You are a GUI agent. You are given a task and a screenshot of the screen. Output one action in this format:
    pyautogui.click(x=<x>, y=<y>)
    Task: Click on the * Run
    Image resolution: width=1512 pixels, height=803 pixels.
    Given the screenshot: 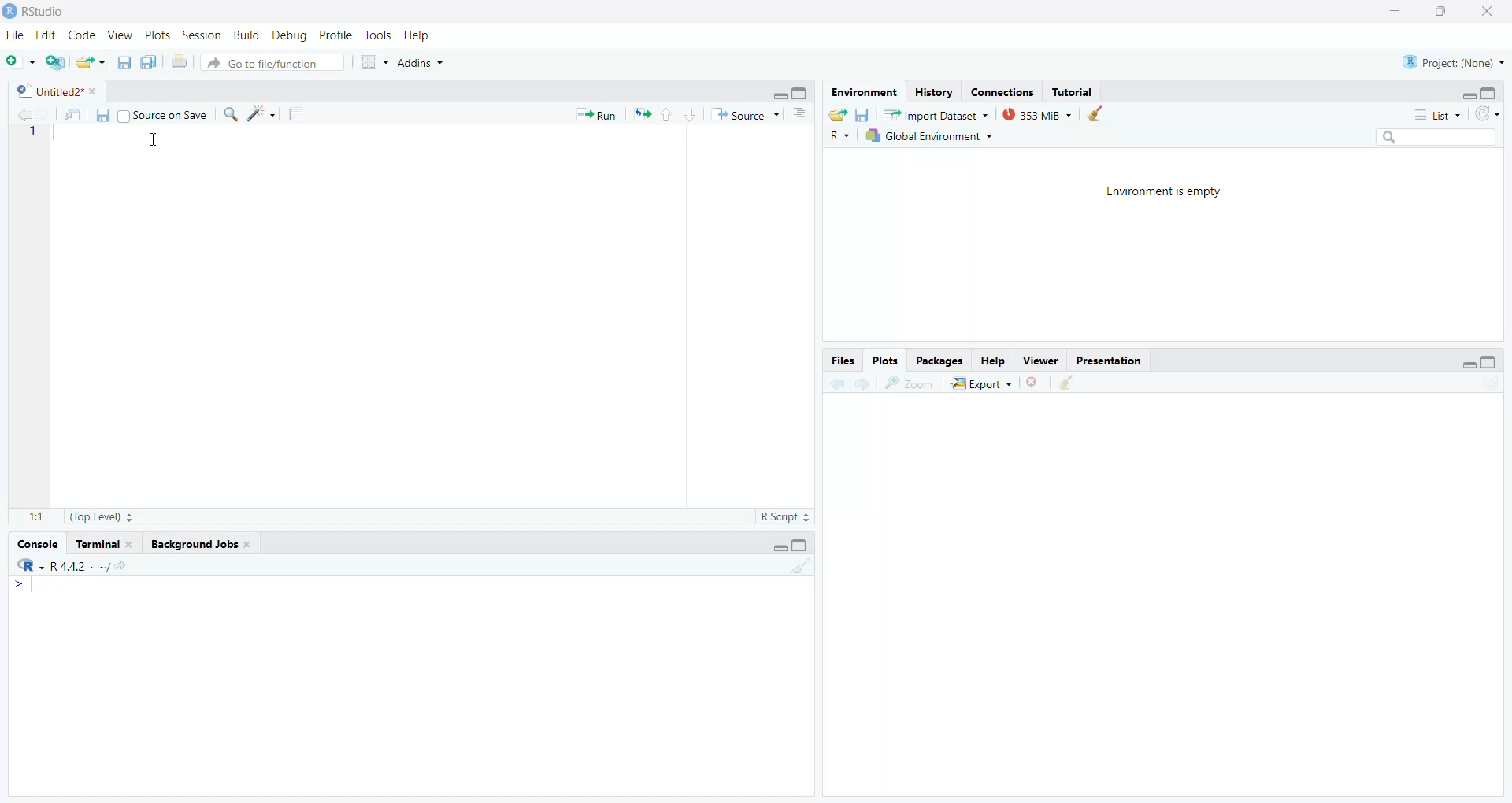 What is the action you would take?
    pyautogui.click(x=590, y=117)
    